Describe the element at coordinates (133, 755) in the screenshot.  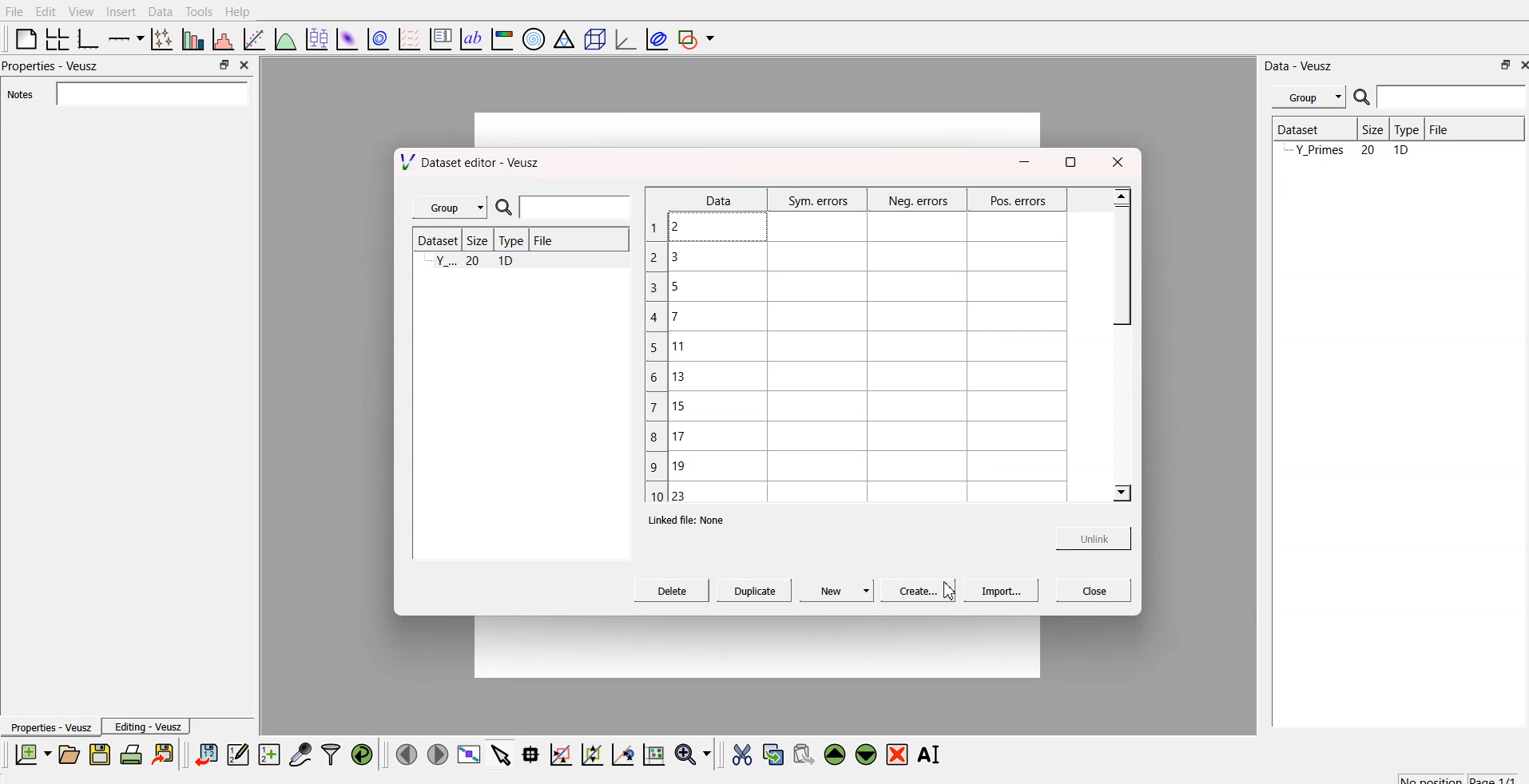
I see `print document` at that location.